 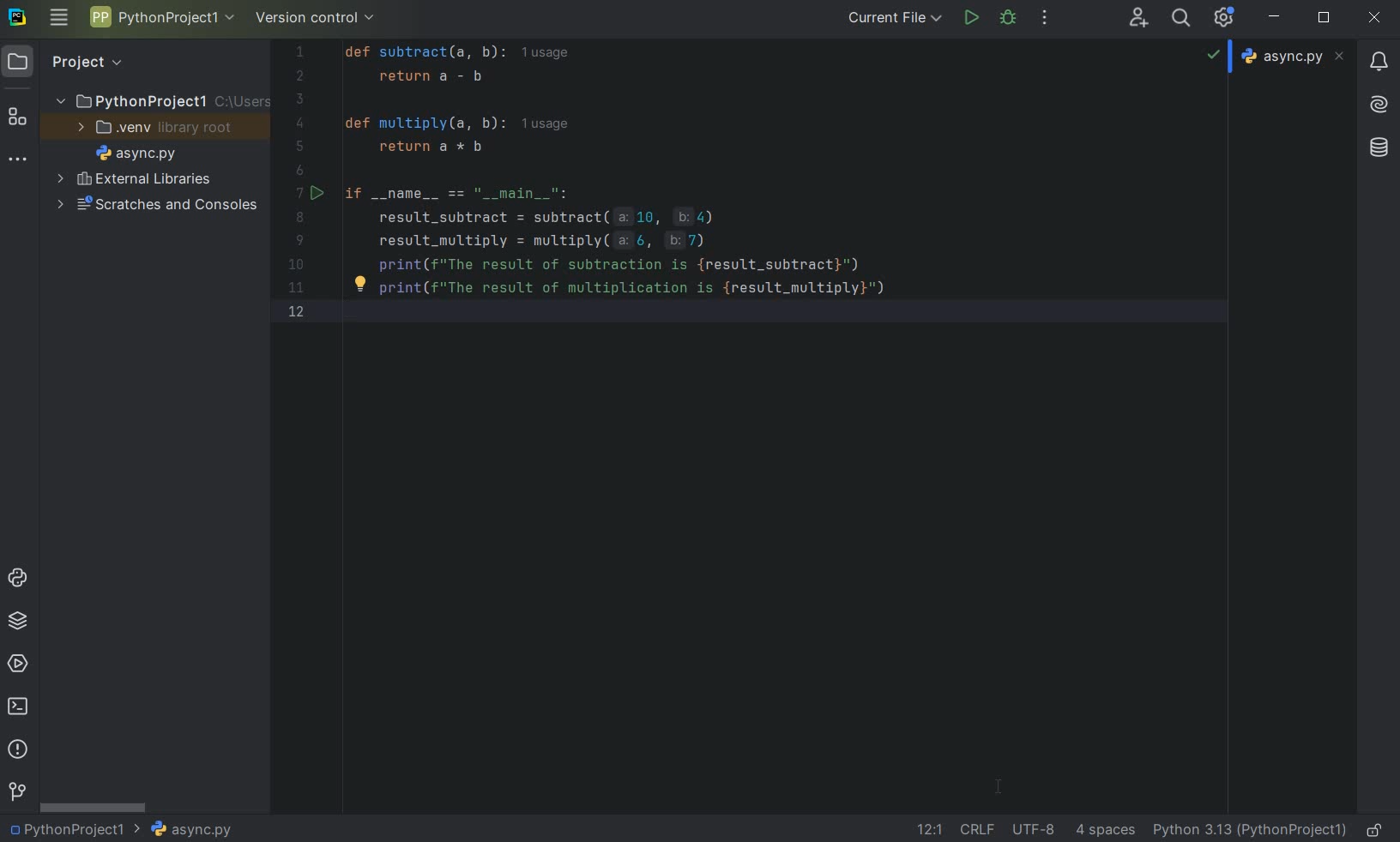 I want to click on search everywhere, so click(x=1181, y=19).